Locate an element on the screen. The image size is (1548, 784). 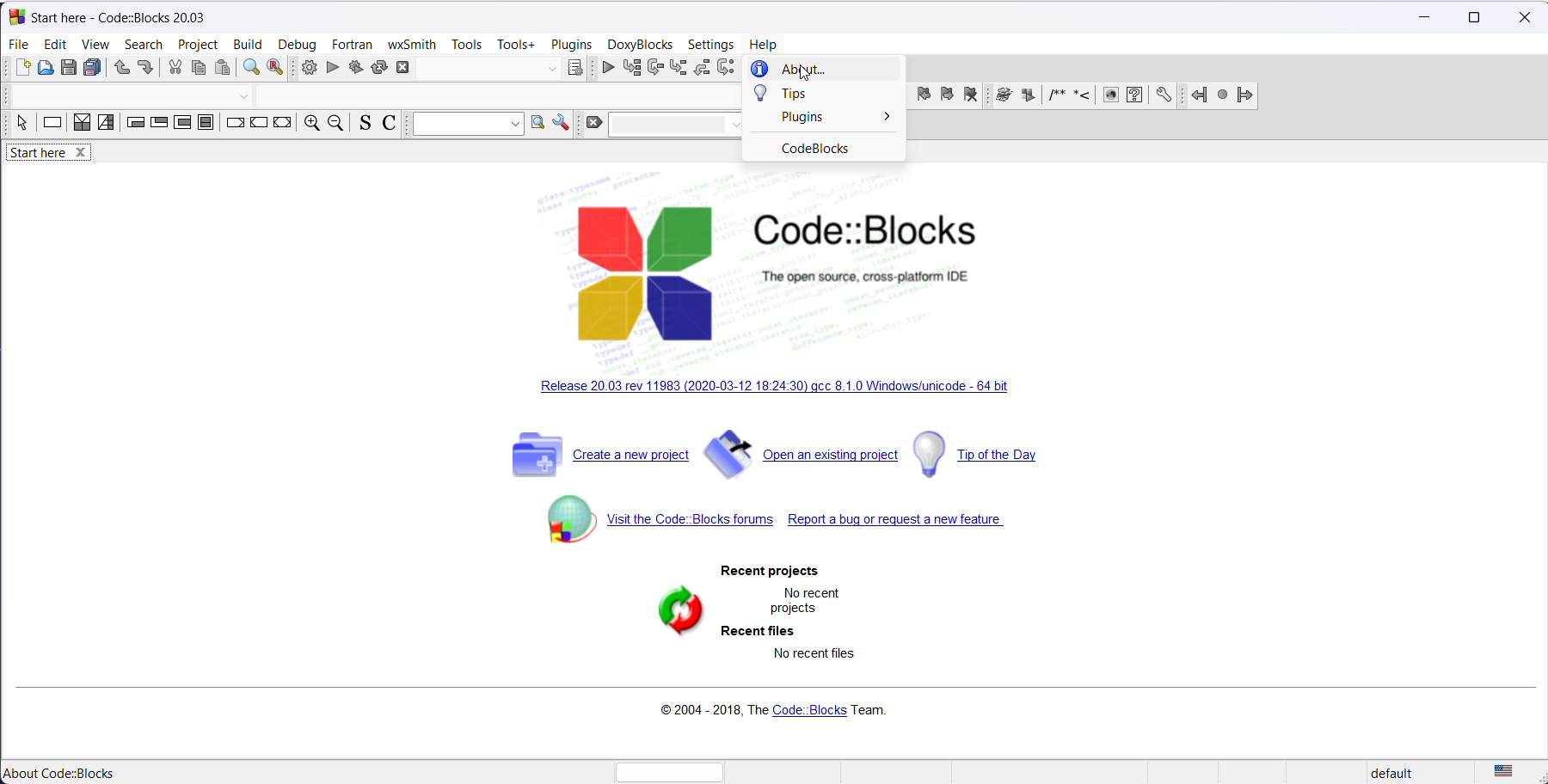
tip of the day is located at coordinates (986, 455).